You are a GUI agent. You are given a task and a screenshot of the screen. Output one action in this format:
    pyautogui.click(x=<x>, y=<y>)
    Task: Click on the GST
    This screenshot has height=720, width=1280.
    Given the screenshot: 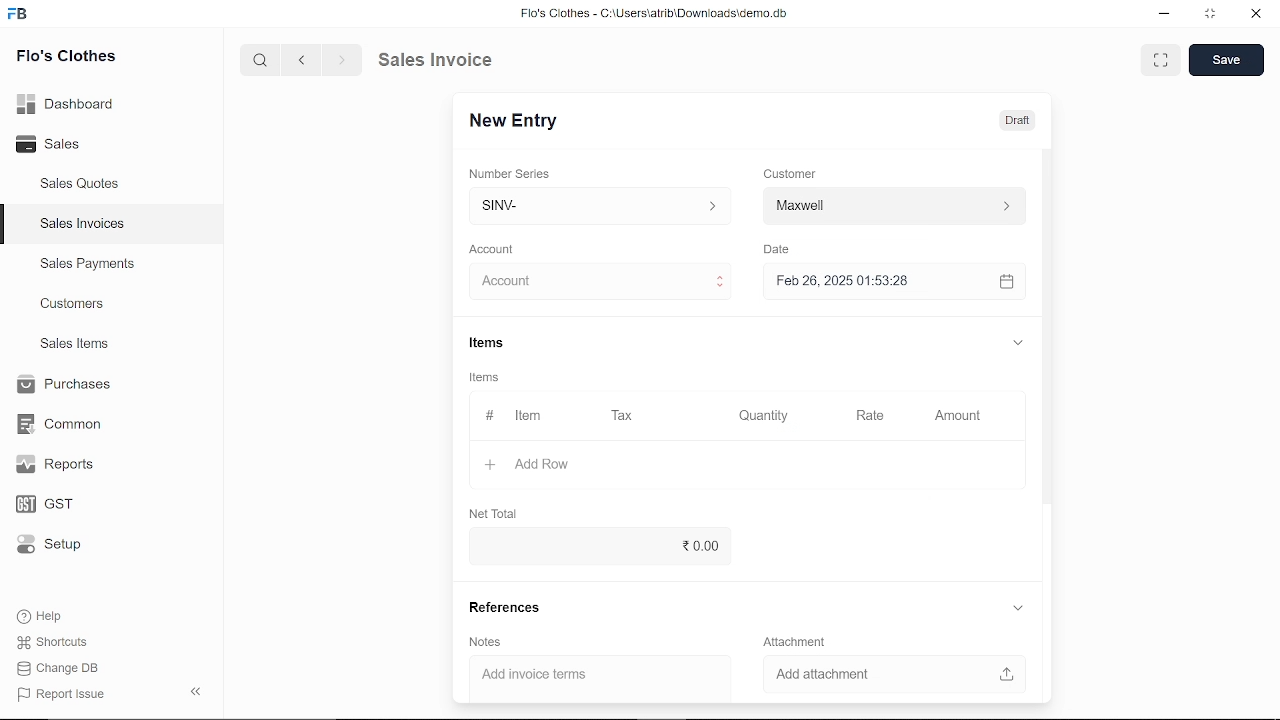 What is the action you would take?
    pyautogui.click(x=62, y=505)
    